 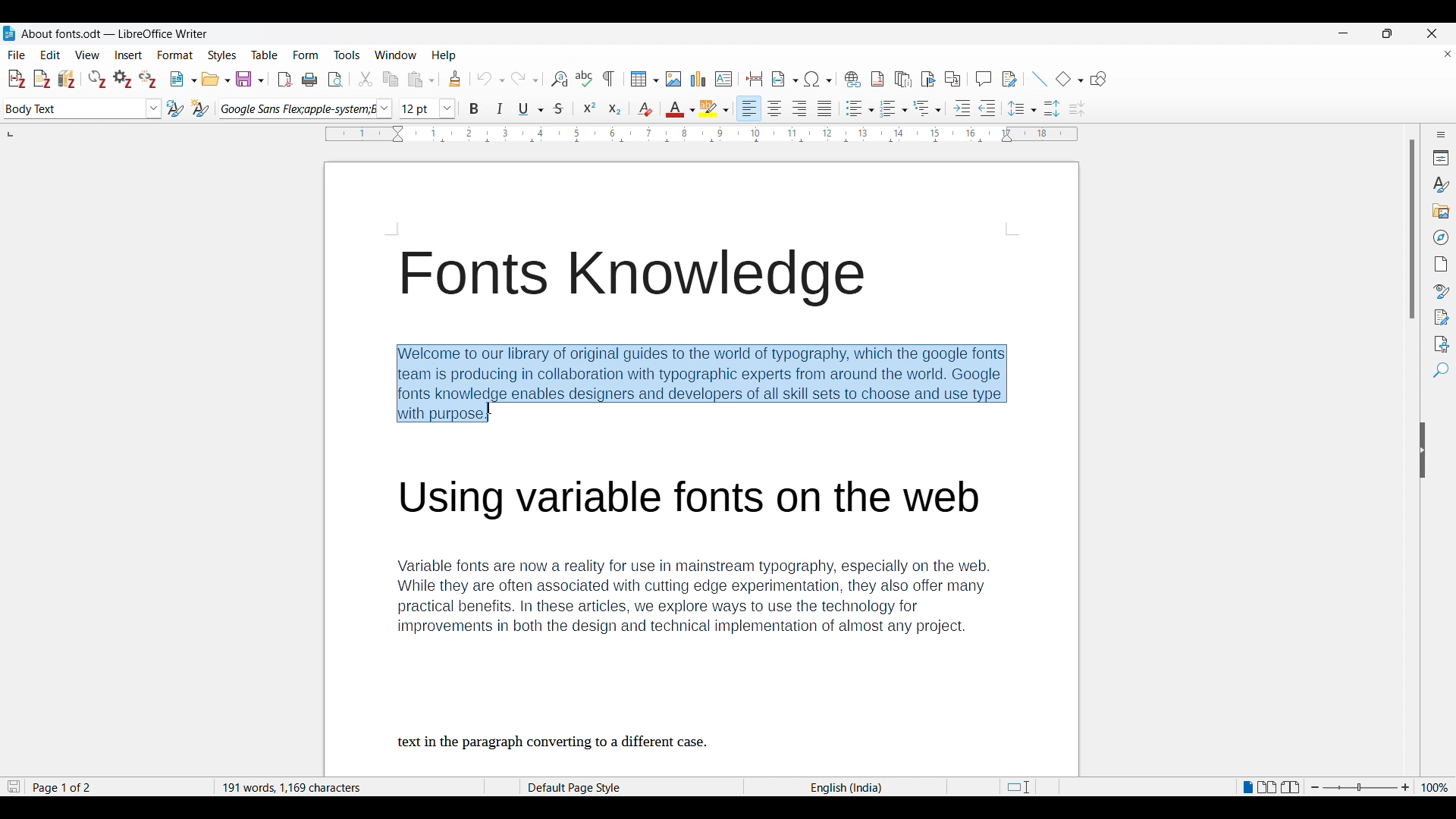 I want to click on Open, so click(x=216, y=79).